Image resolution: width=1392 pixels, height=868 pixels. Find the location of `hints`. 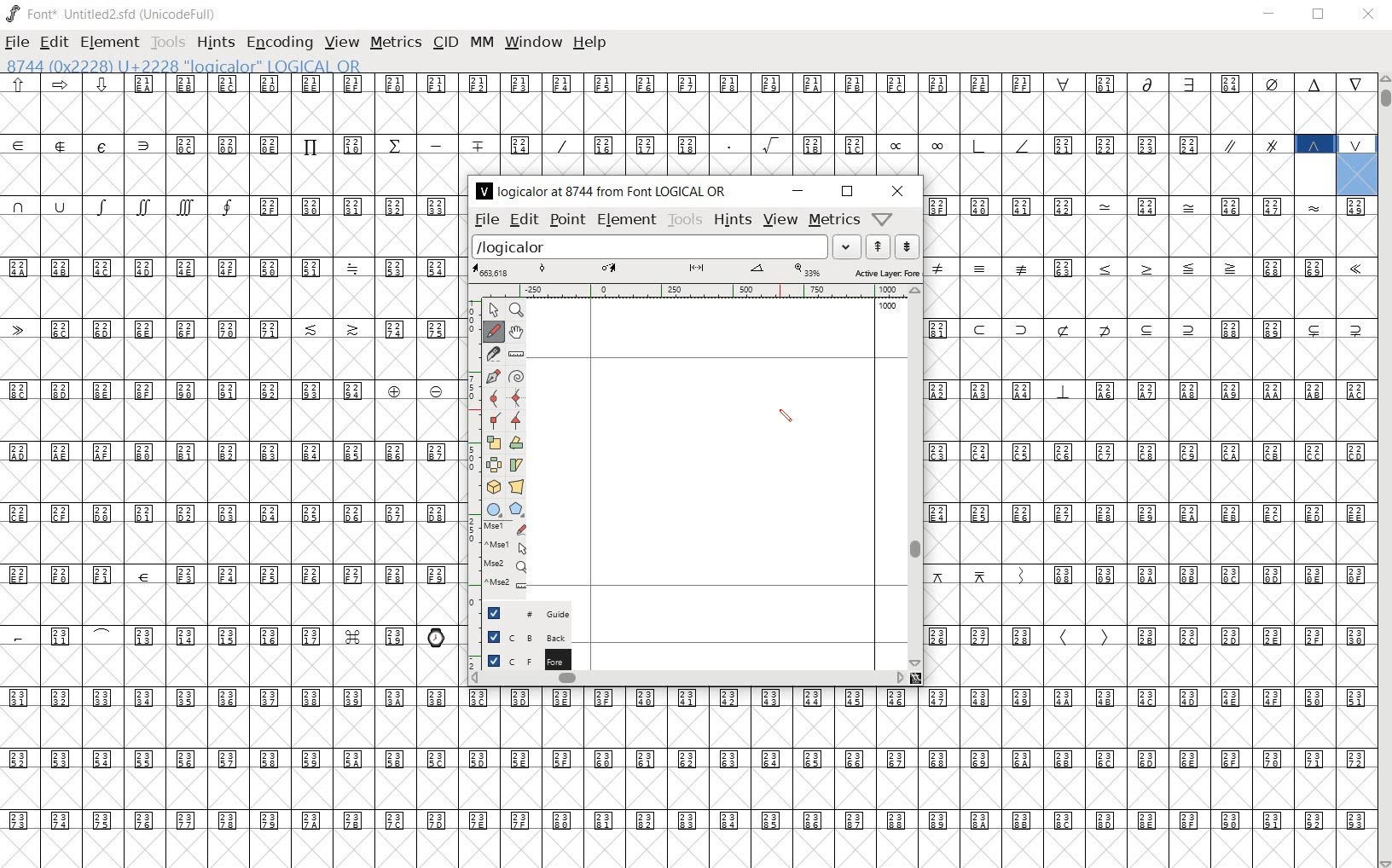

hints is located at coordinates (214, 44).